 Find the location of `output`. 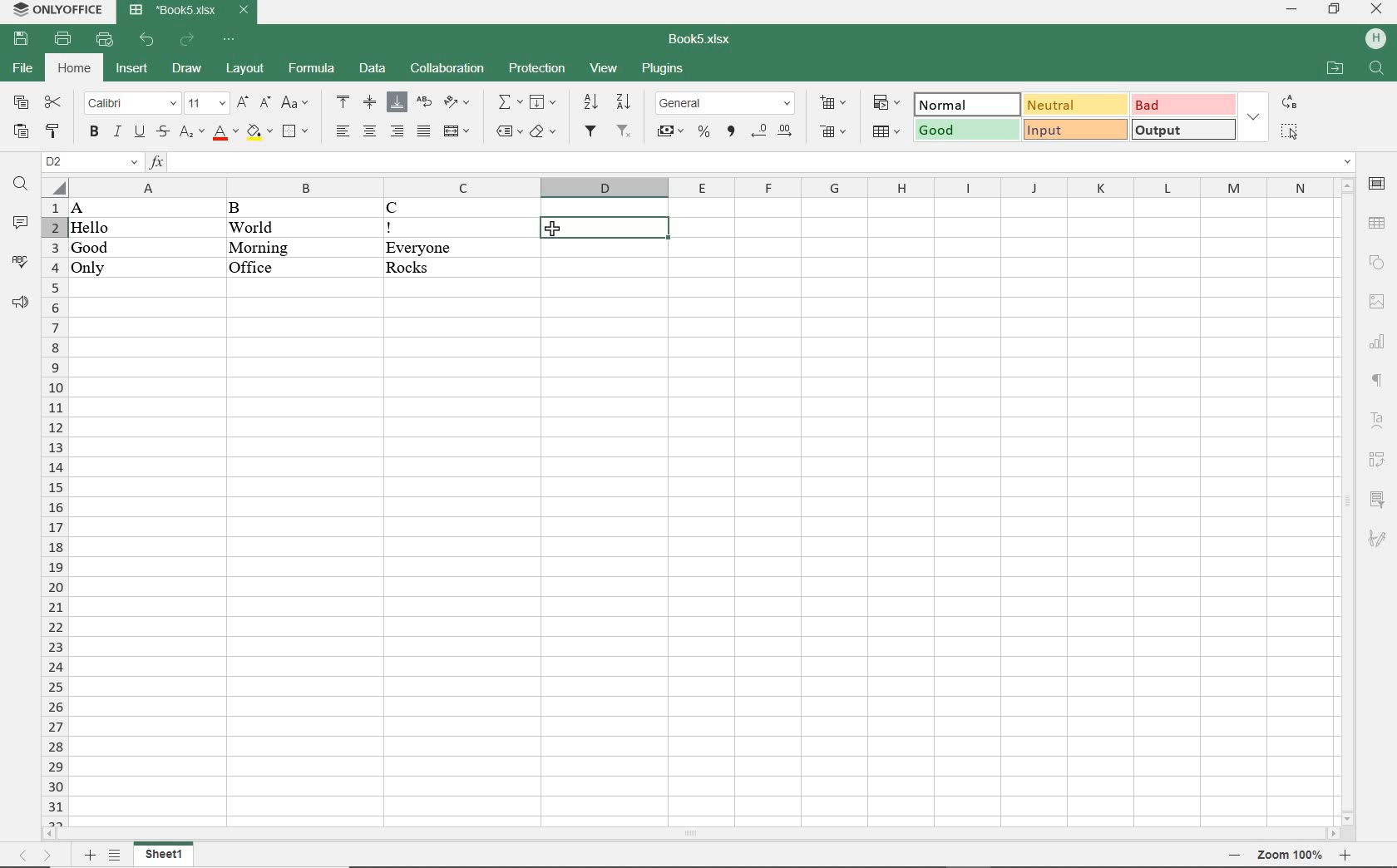

output is located at coordinates (1182, 131).